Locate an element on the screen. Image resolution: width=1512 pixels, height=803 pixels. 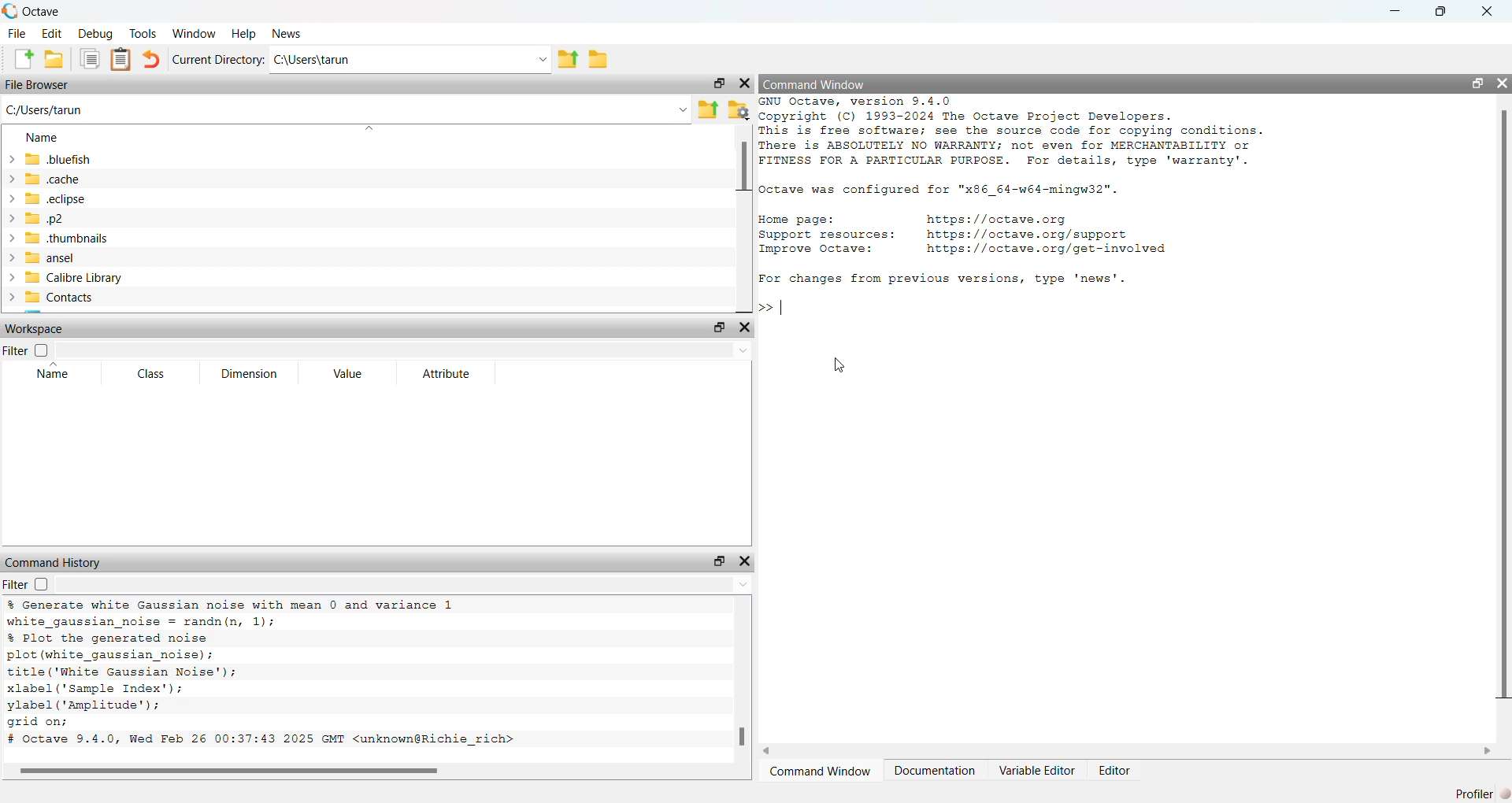
documents is located at coordinates (88, 61).